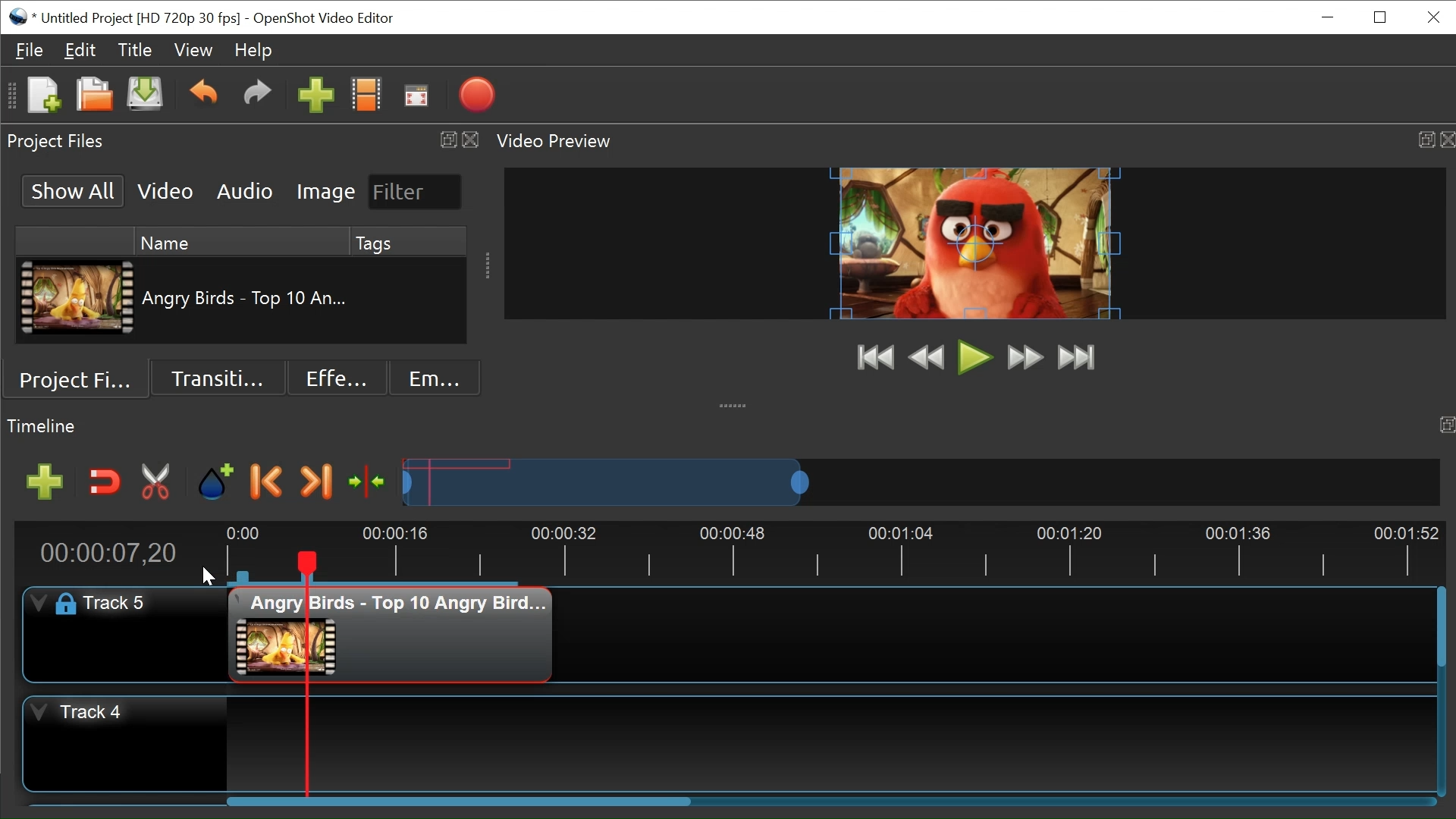 The width and height of the screenshot is (1456, 819). I want to click on Zoom Slider, so click(921, 481).